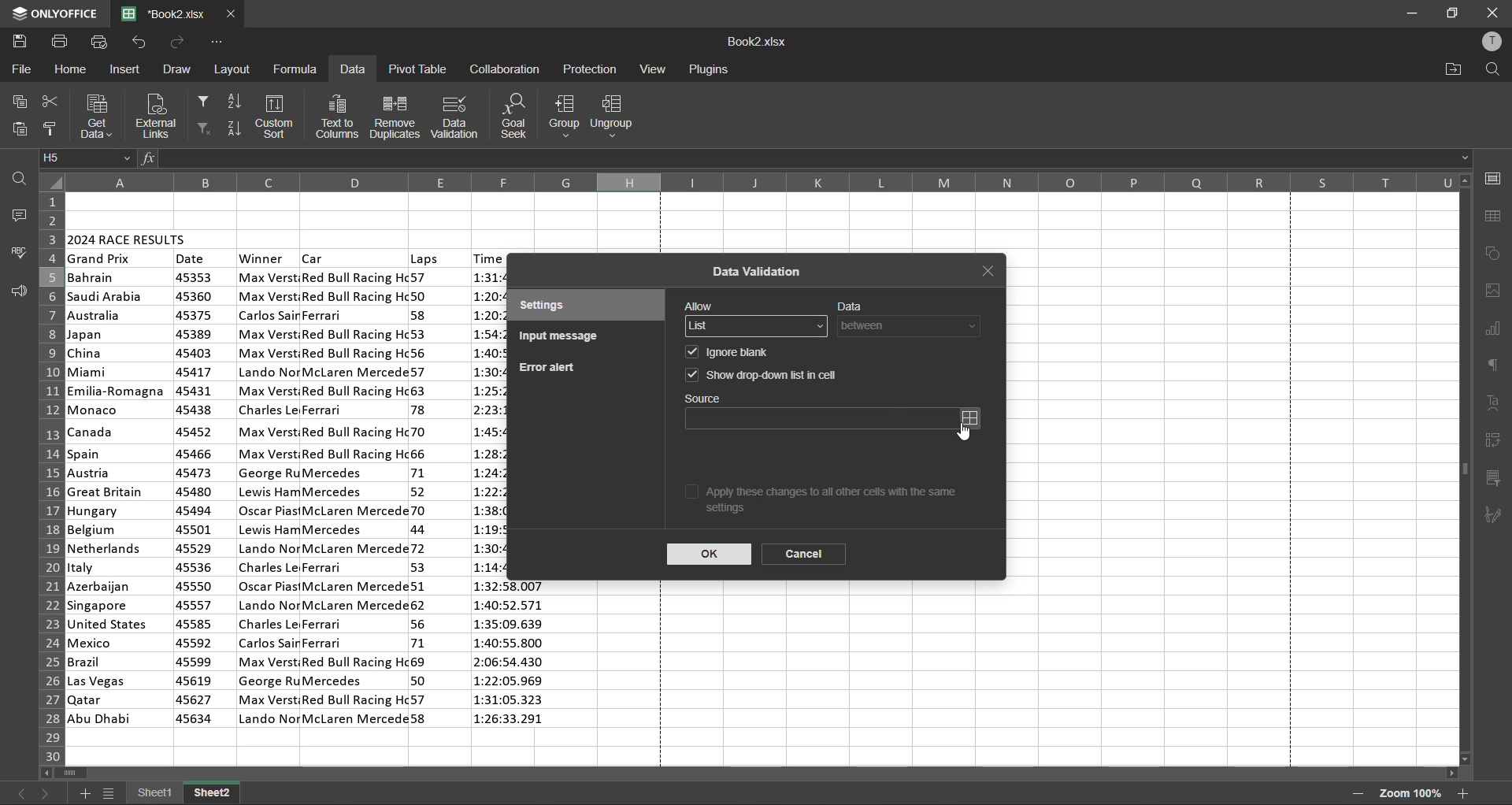 Image resolution: width=1512 pixels, height=805 pixels. What do you see at coordinates (504, 69) in the screenshot?
I see `collaboration` at bounding box center [504, 69].